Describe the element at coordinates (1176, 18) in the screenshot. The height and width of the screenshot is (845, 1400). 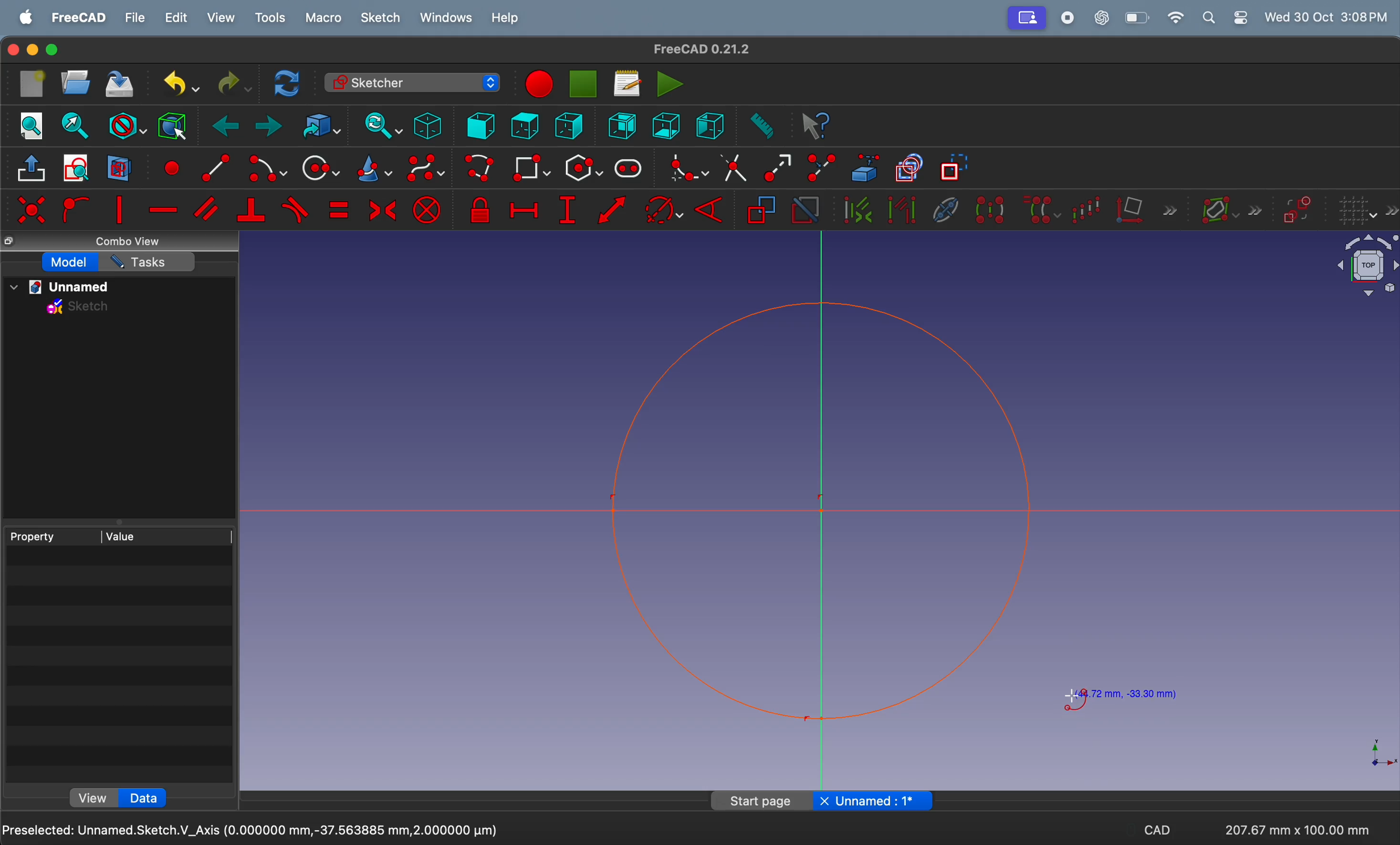
I see `wifi` at that location.